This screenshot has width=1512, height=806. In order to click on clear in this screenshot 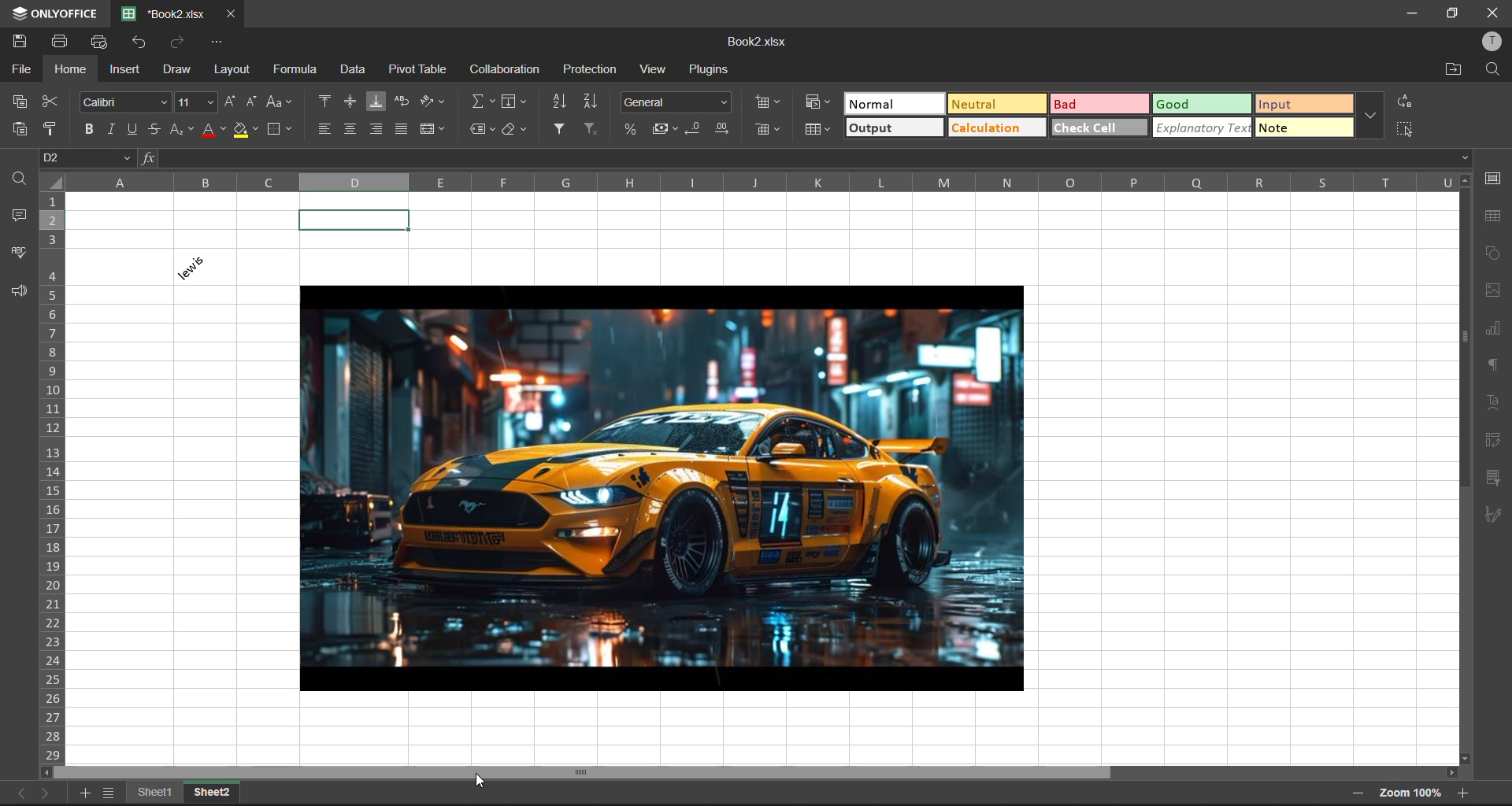, I will do `click(517, 131)`.